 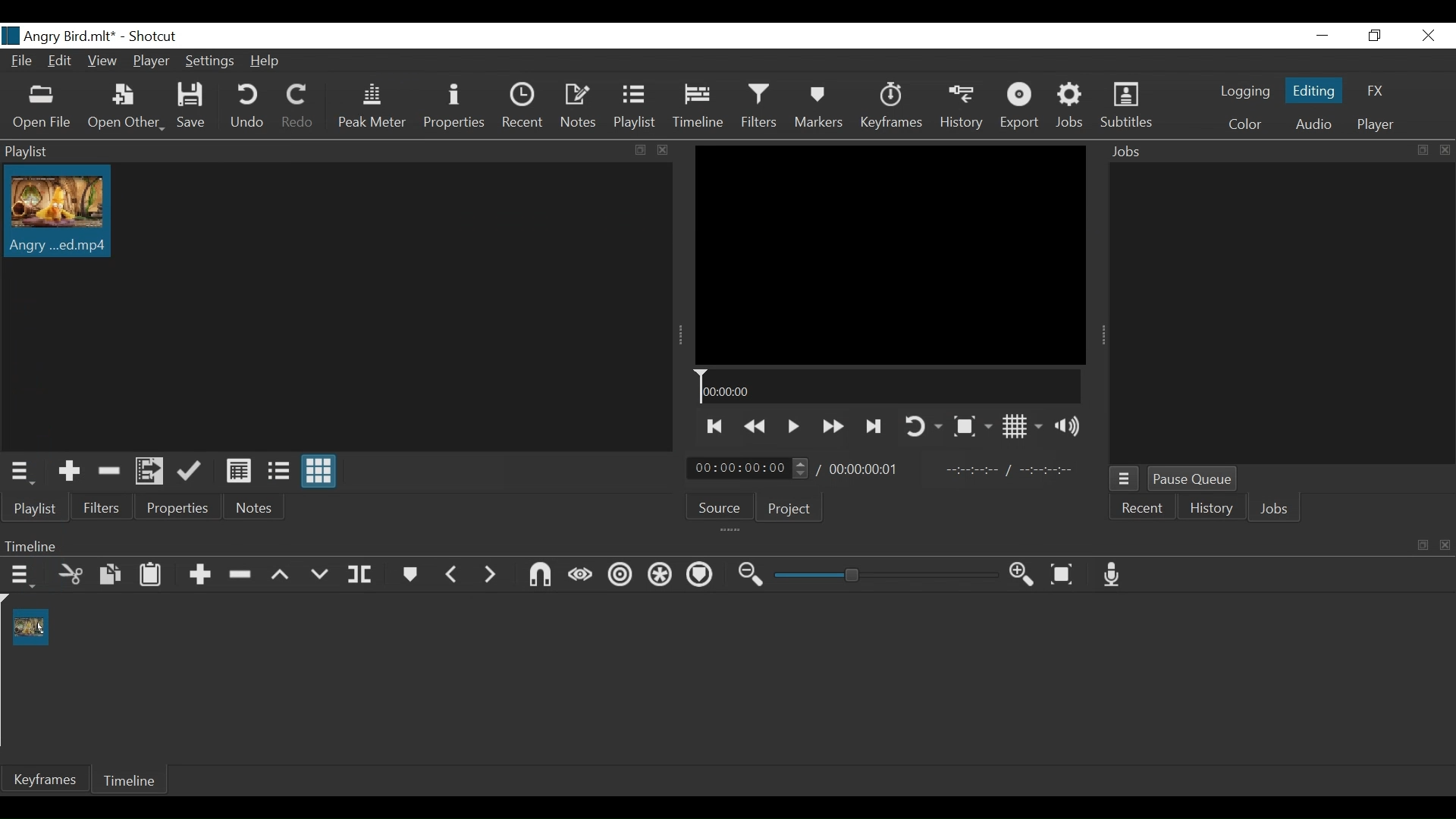 What do you see at coordinates (151, 61) in the screenshot?
I see `Player` at bounding box center [151, 61].